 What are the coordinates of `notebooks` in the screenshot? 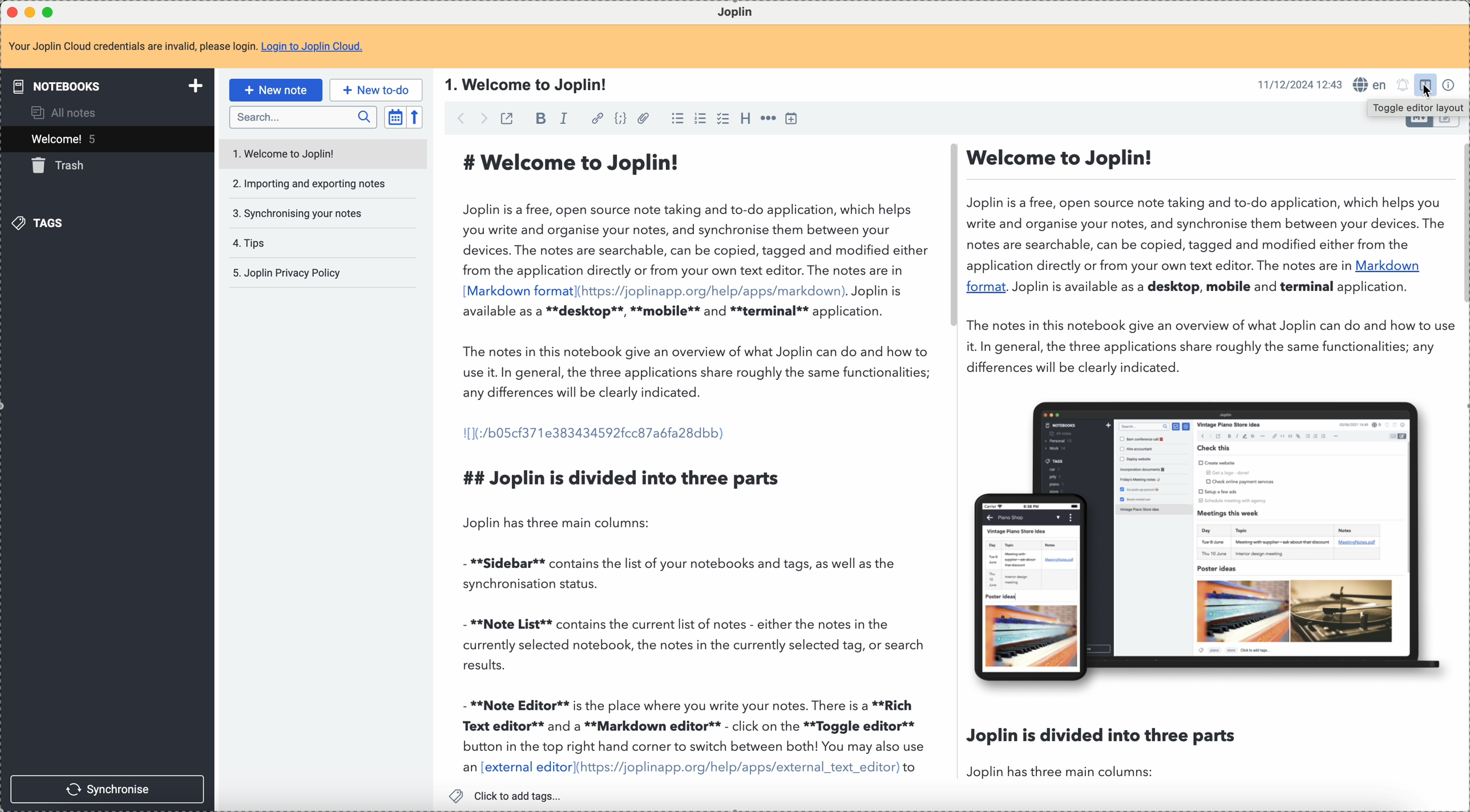 It's located at (105, 86).